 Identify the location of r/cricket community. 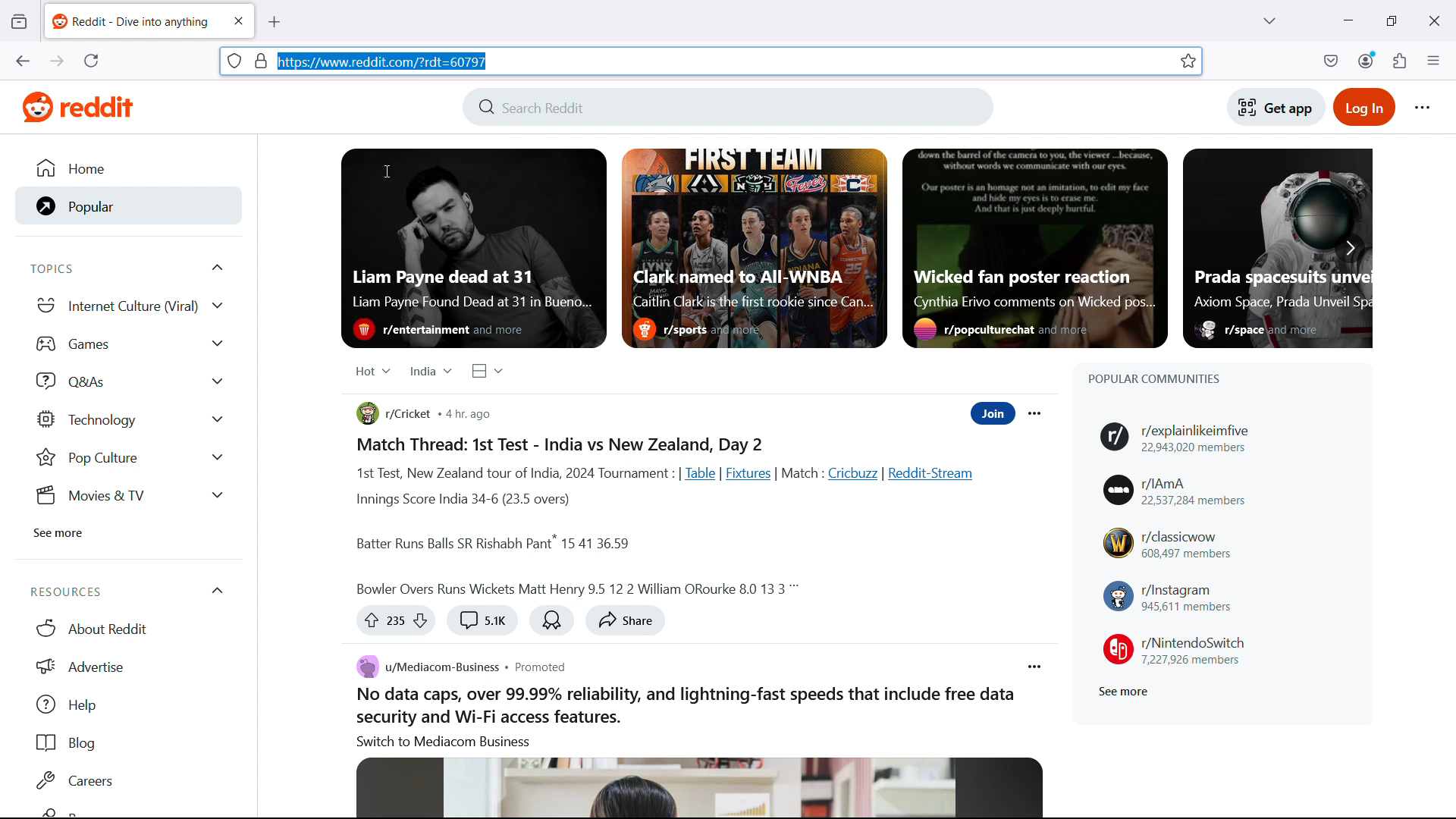
(394, 414).